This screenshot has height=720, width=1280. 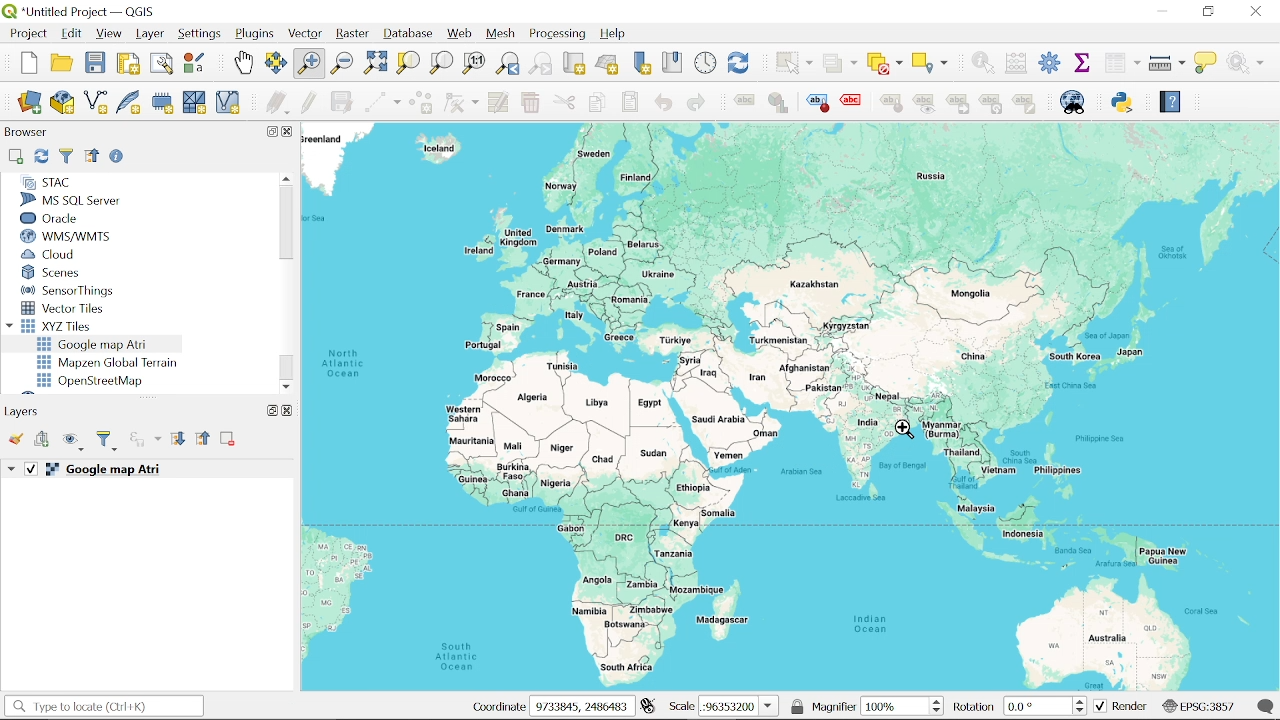 I want to click on Layer labelling, so click(x=741, y=103).